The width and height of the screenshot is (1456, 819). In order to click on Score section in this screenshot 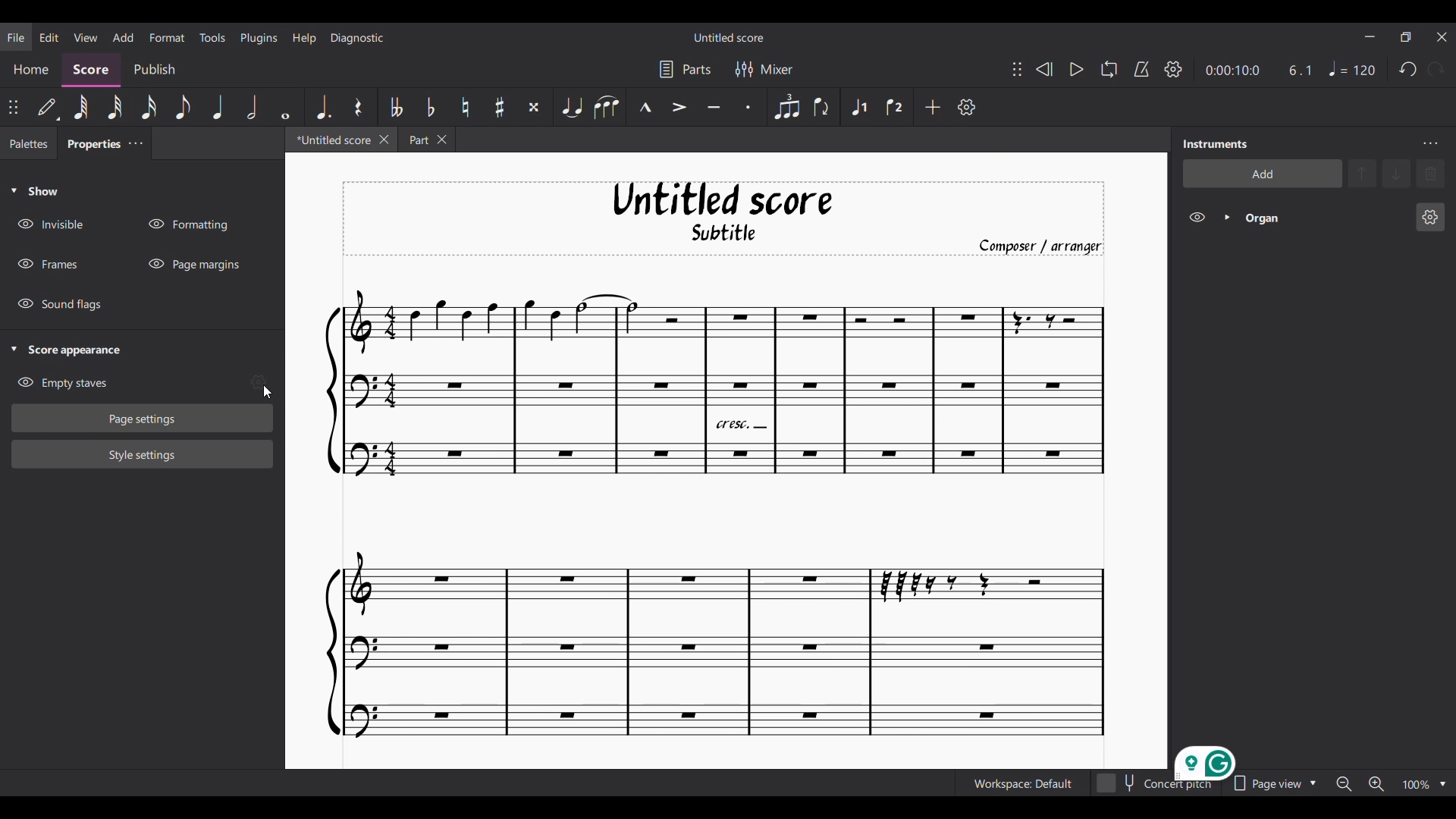, I will do `click(90, 71)`.